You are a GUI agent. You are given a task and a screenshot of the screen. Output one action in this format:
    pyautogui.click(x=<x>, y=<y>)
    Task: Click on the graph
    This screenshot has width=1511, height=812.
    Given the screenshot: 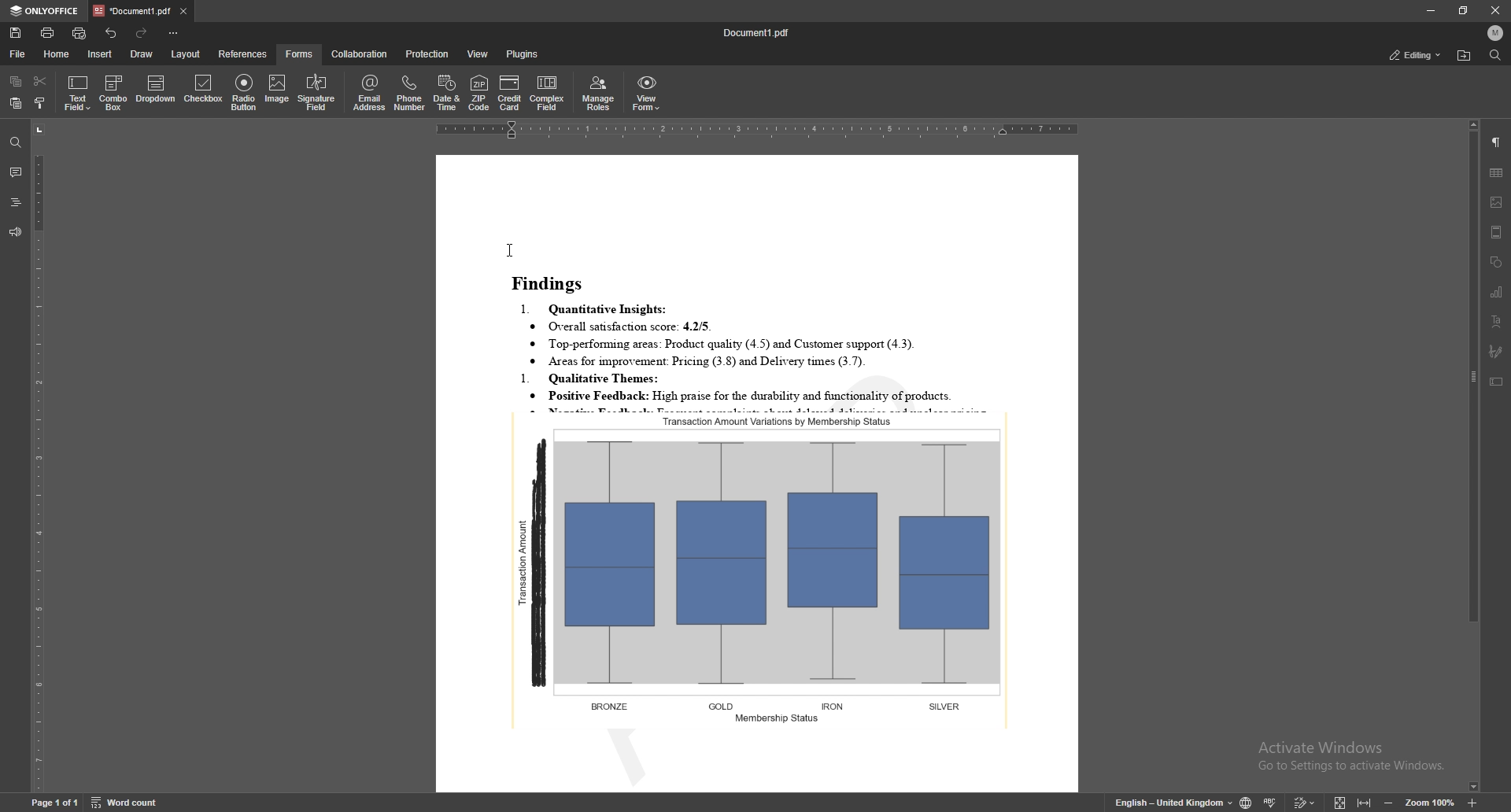 What is the action you would take?
    pyautogui.click(x=763, y=569)
    